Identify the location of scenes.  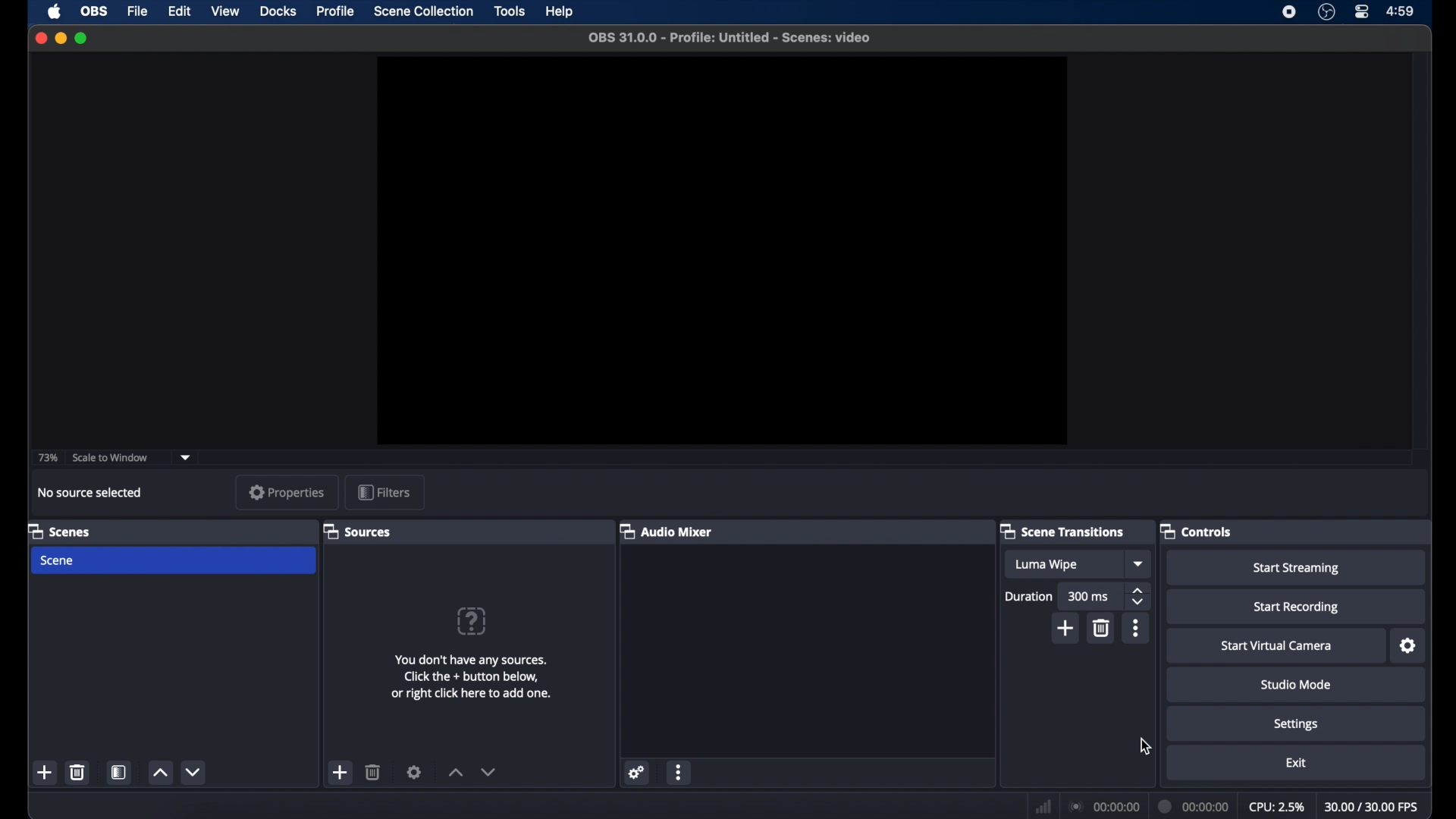
(61, 532).